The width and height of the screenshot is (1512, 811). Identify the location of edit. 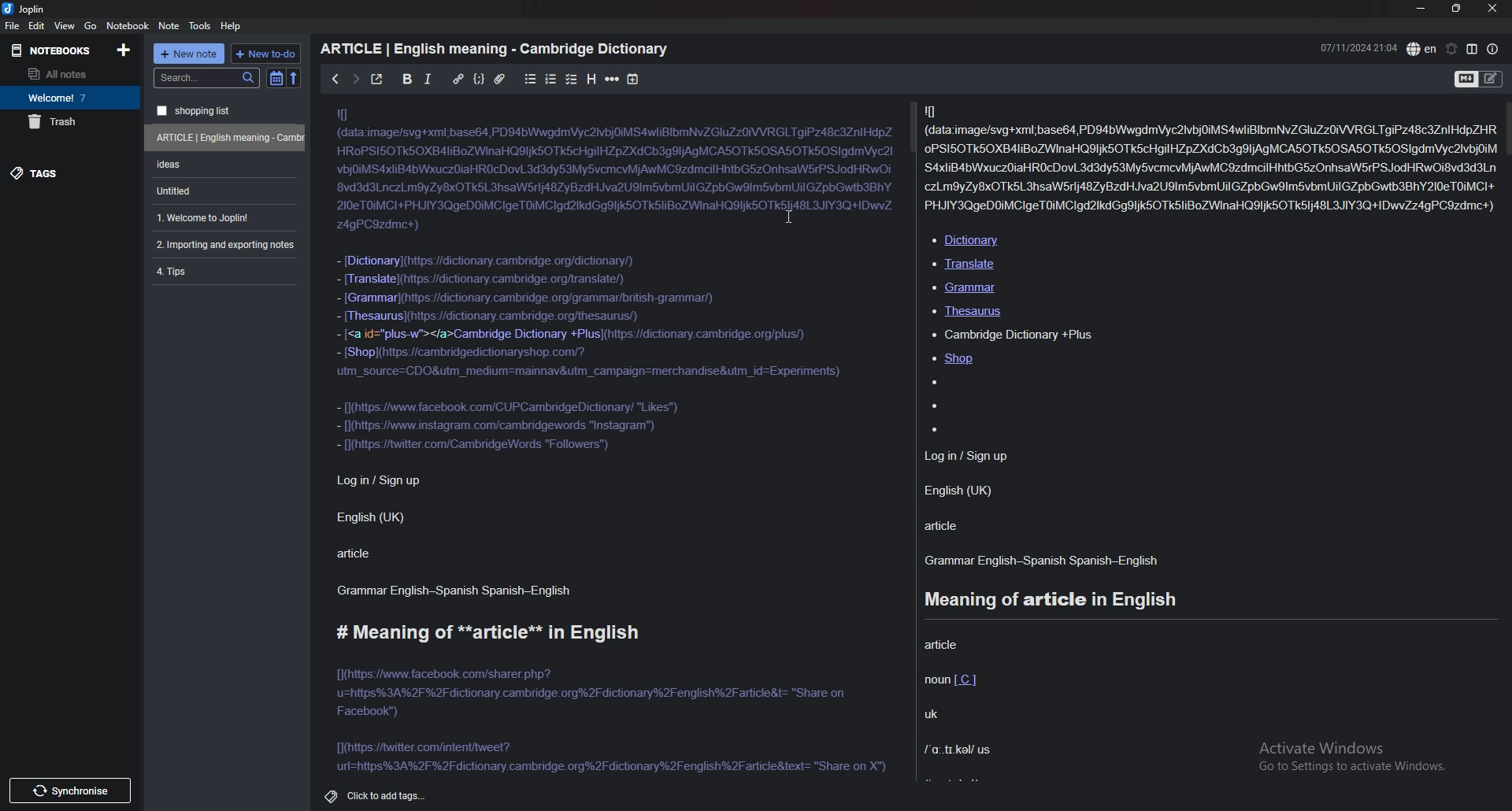
(37, 25).